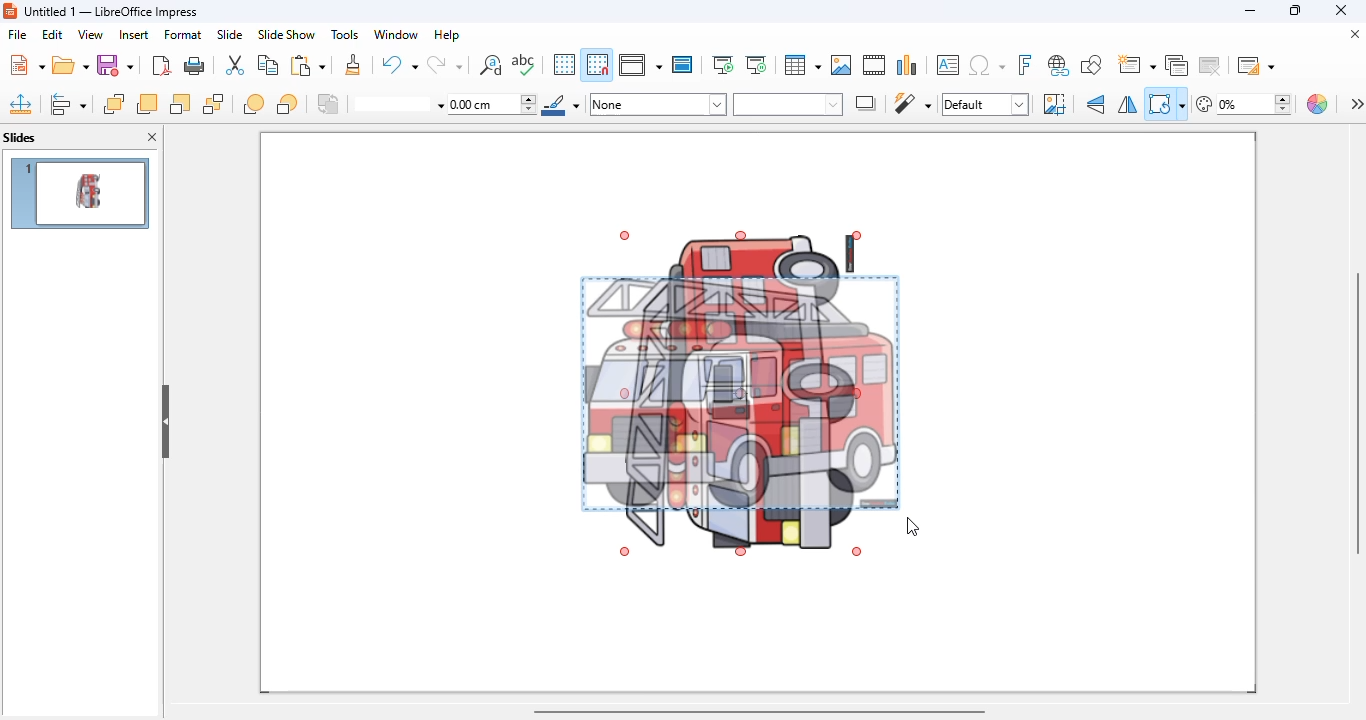 Image resolution: width=1366 pixels, height=720 pixels. Describe the element at coordinates (71, 66) in the screenshot. I see `open` at that location.